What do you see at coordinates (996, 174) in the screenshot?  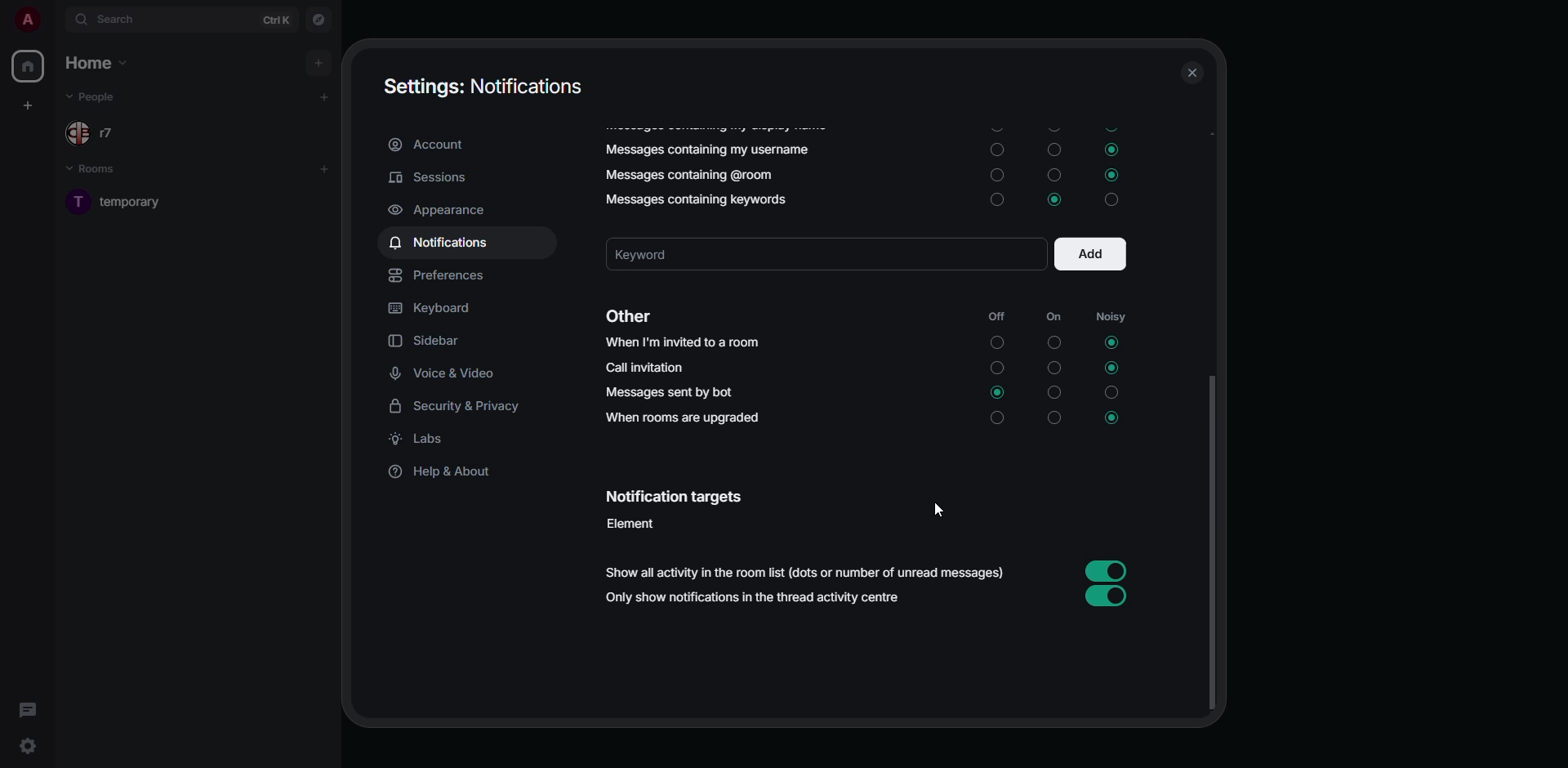 I see `Off` at bounding box center [996, 174].